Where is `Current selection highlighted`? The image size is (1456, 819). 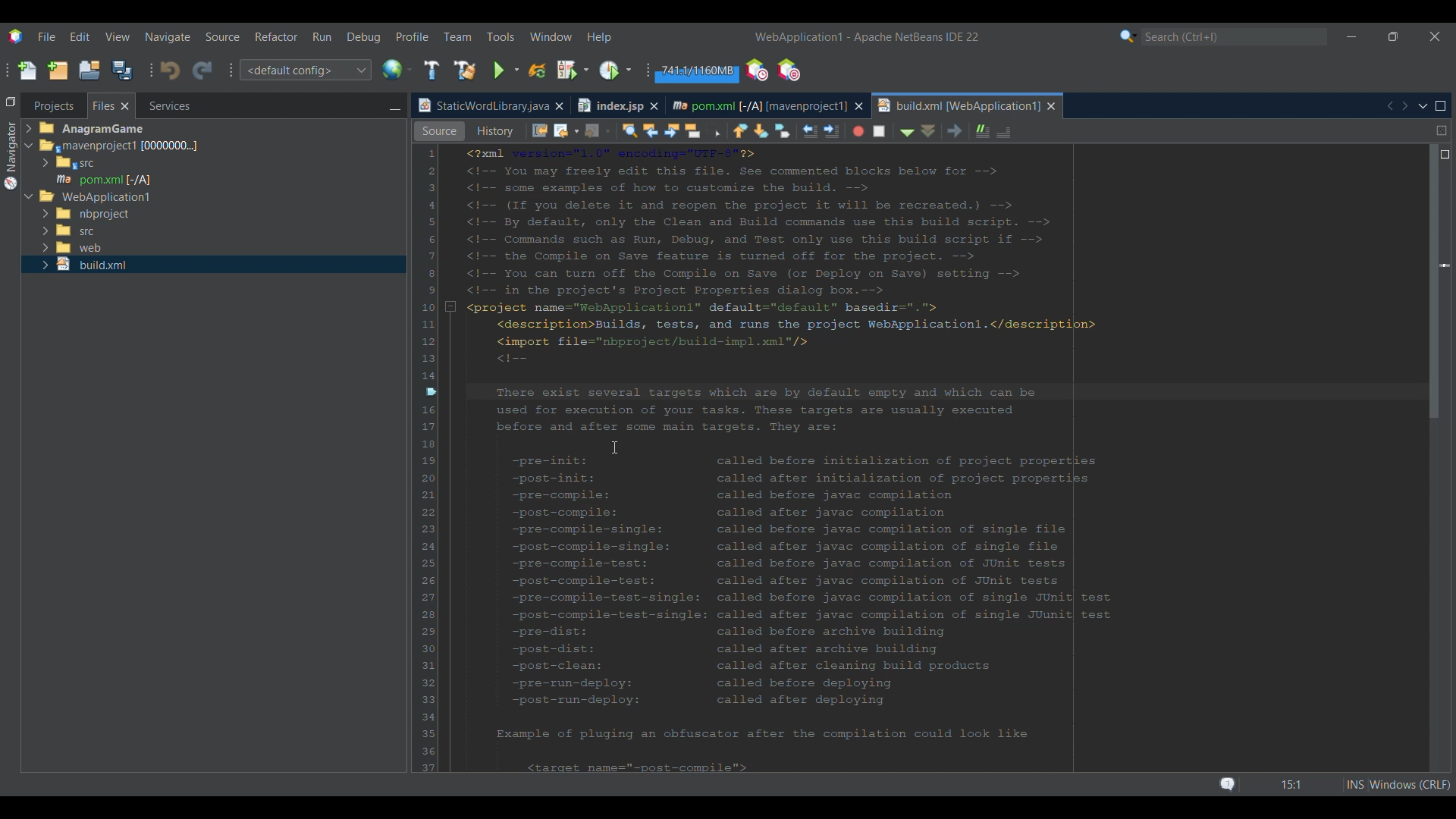 Current selection highlighted is located at coordinates (111, 105).